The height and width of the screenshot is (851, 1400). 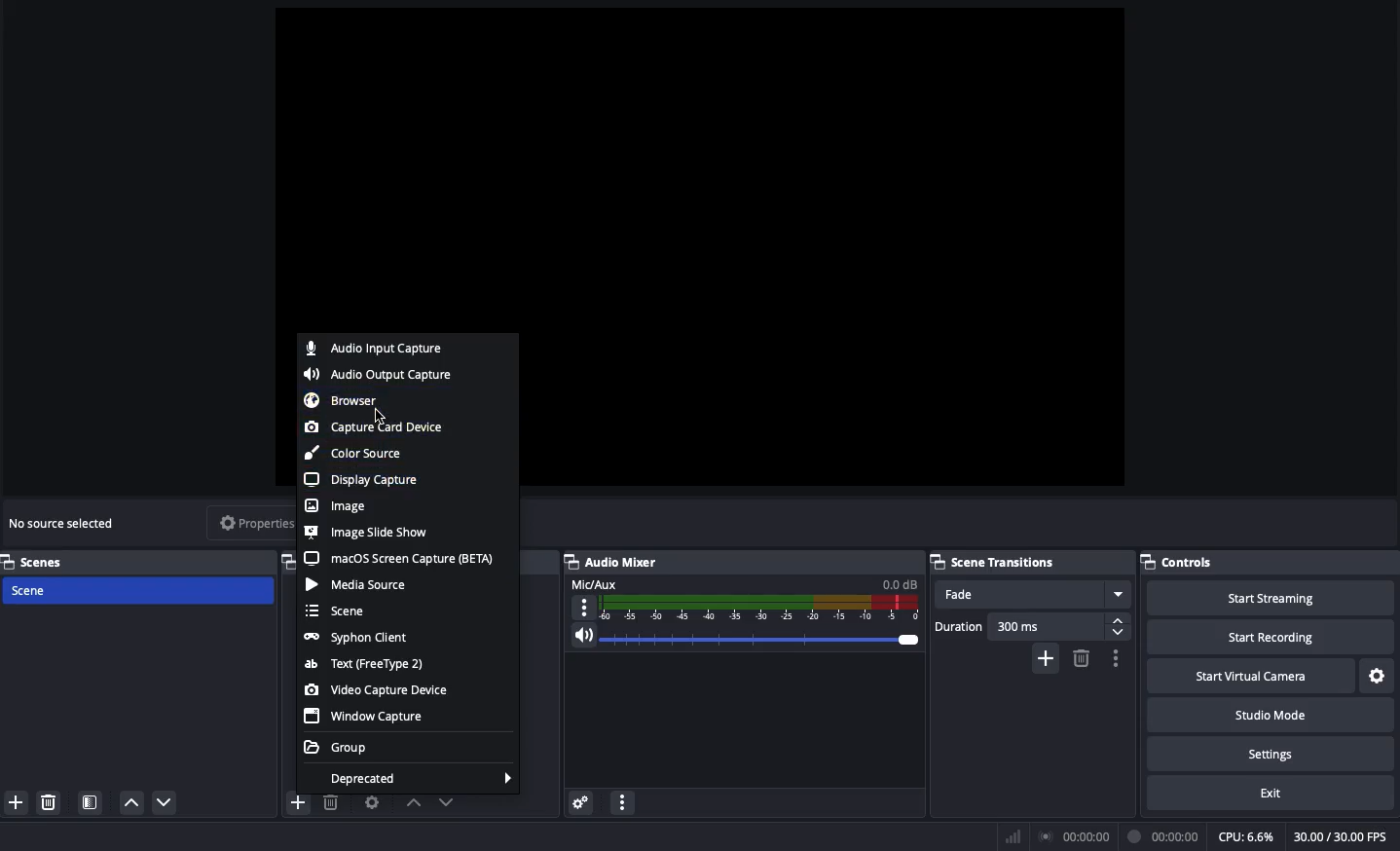 I want to click on Settings, so click(x=1380, y=676).